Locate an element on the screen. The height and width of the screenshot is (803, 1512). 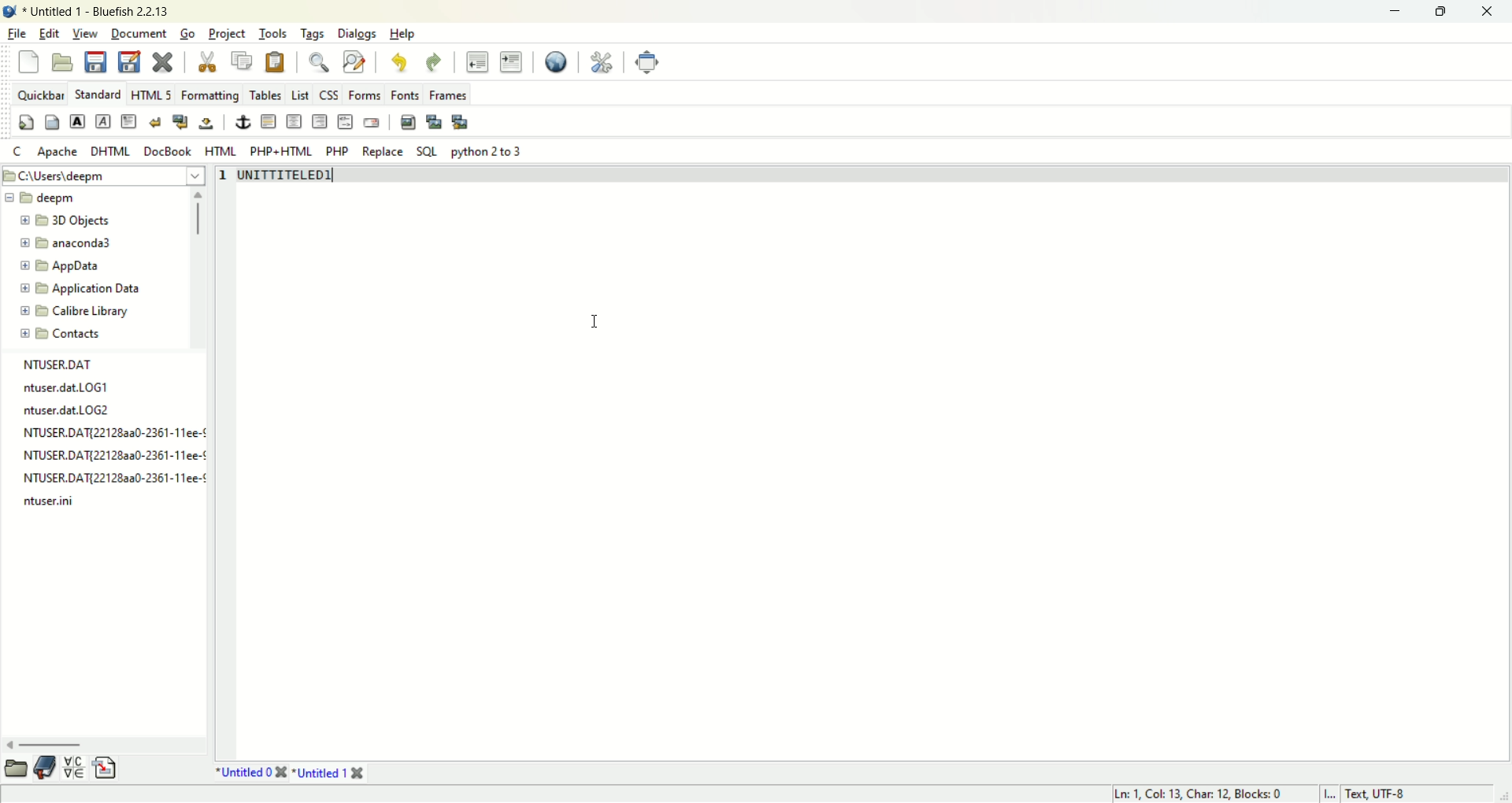
anchor is located at coordinates (243, 122).